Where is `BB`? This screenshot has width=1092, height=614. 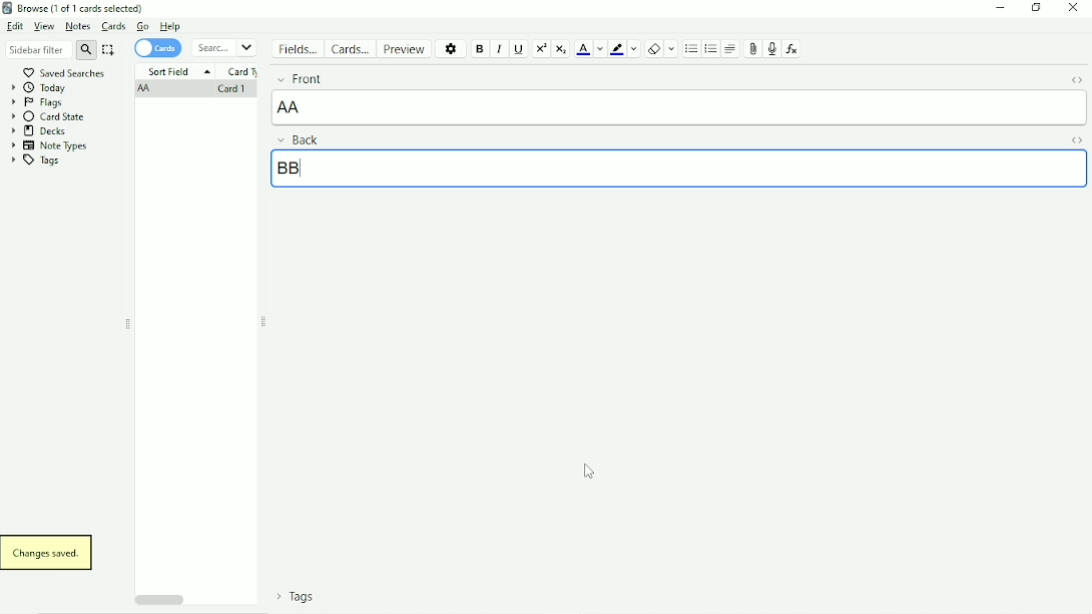
BB is located at coordinates (288, 167).